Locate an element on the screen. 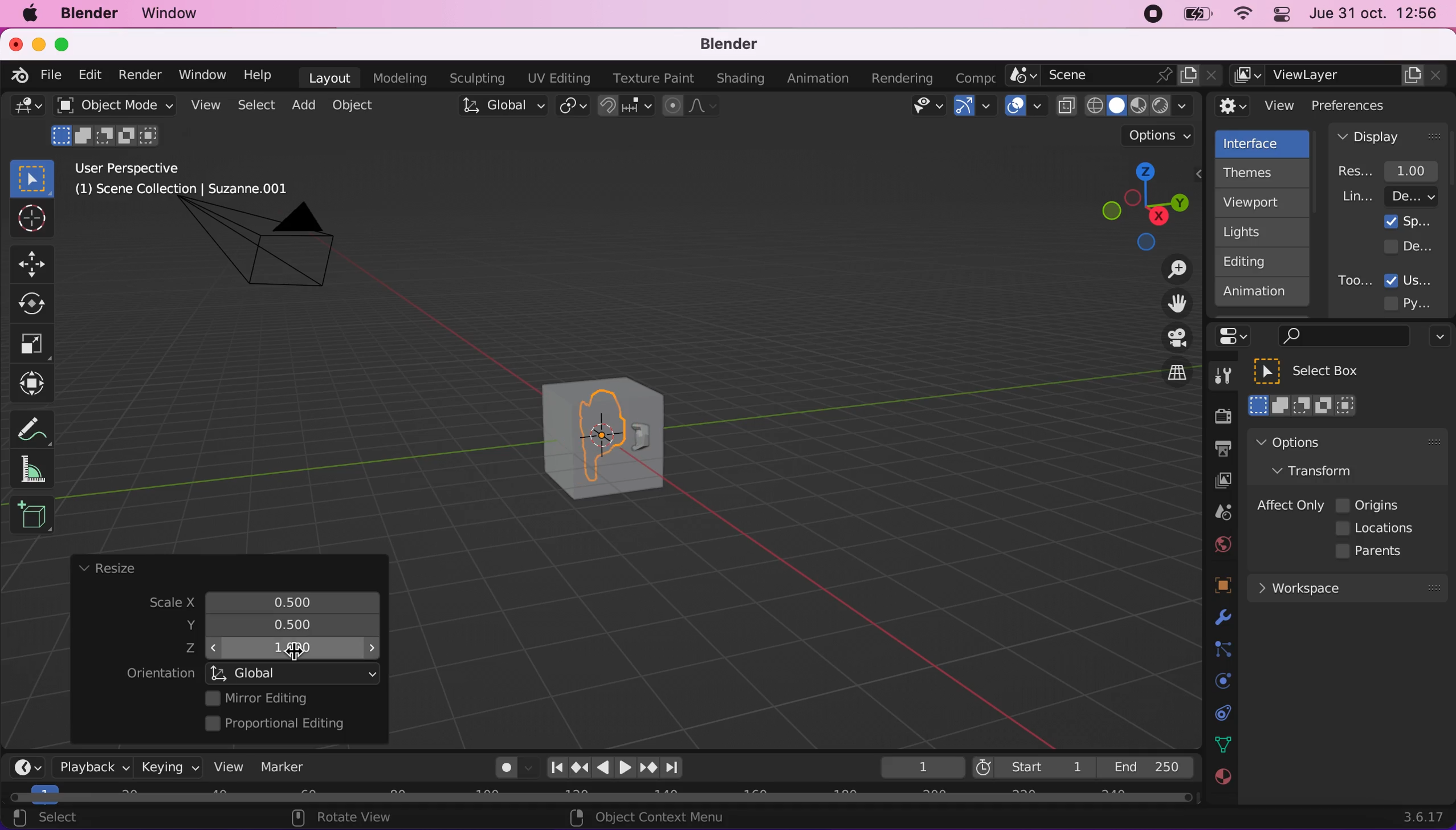  editing is located at coordinates (1257, 261).